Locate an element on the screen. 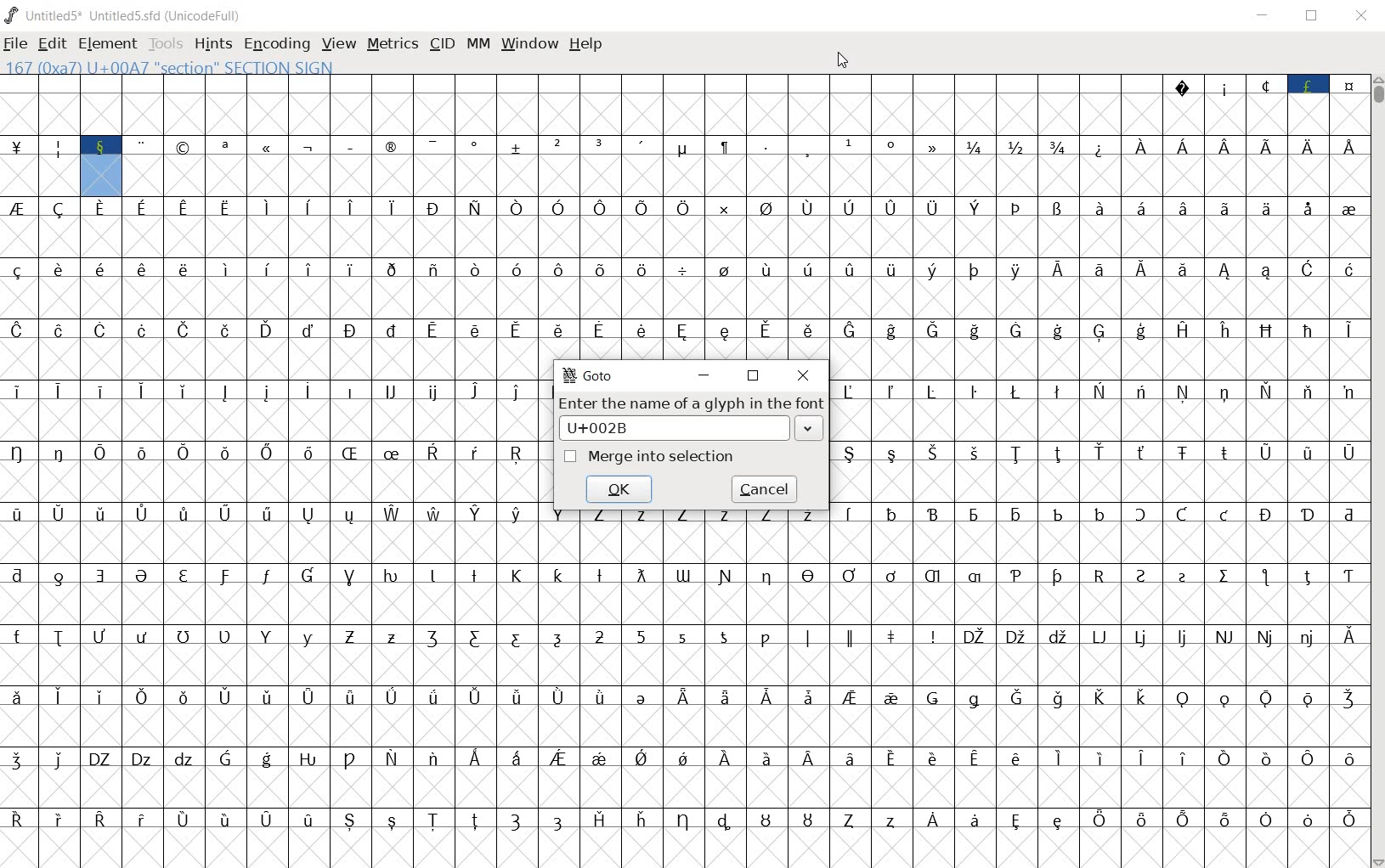 This screenshot has height=868, width=1385. special alphabets is located at coordinates (228, 778).